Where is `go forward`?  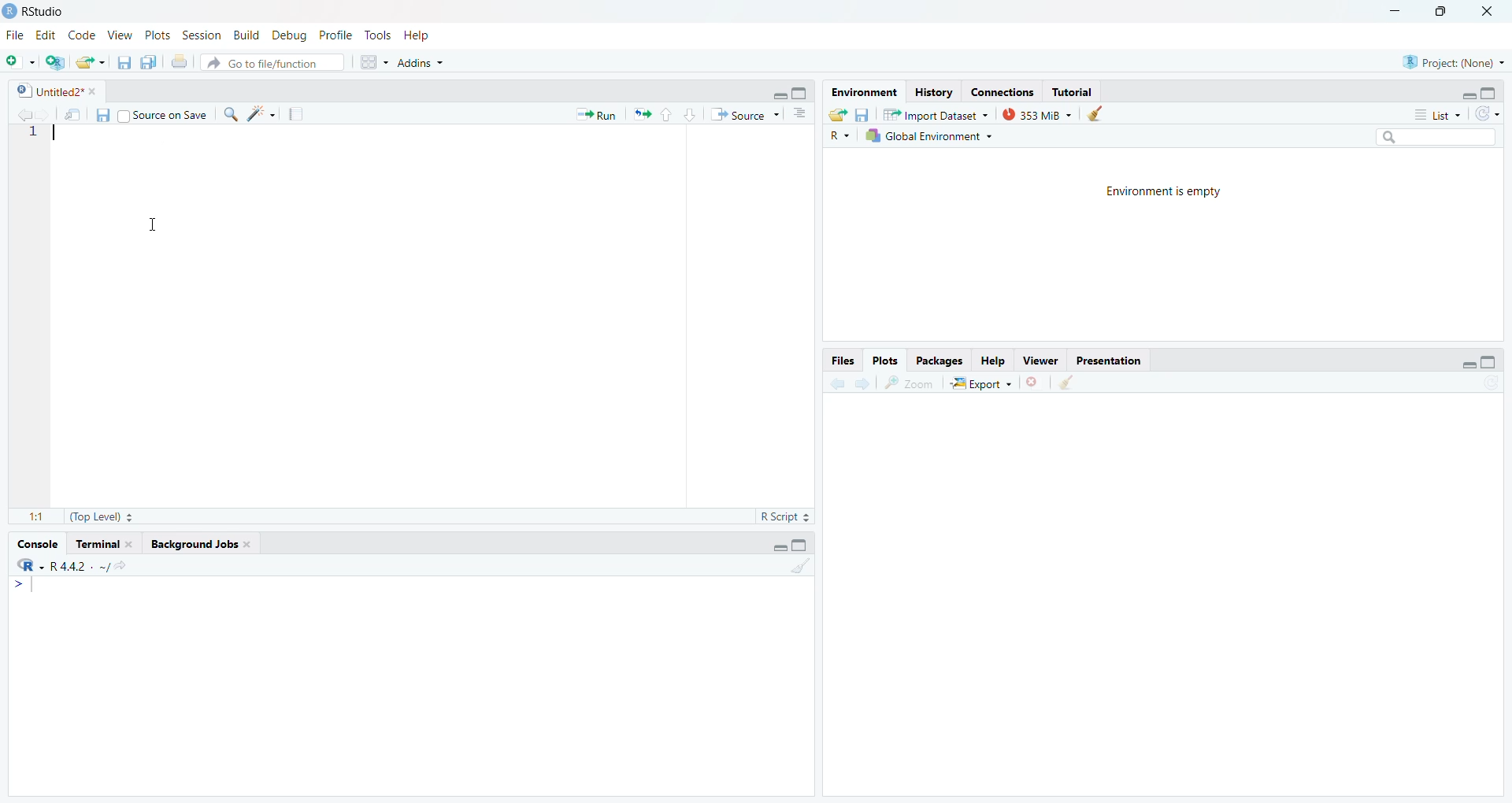
go forward is located at coordinates (866, 385).